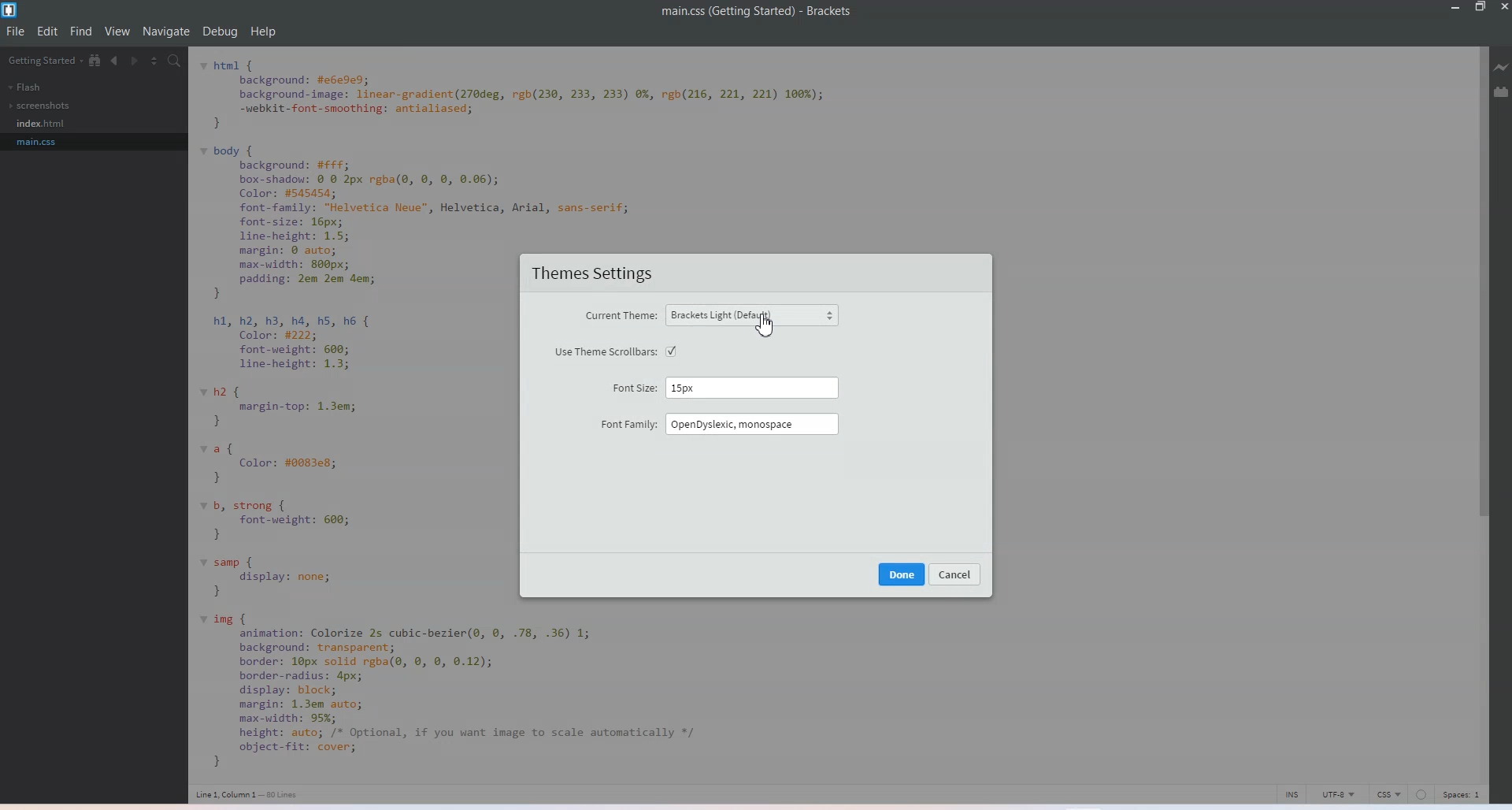 Image resolution: width=1512 pixels, height=810 pixels. What do you see at coordinates (1291, 794) in the screenshot?
I see `click to toggle cursor` at bounding box center [1291, 794].